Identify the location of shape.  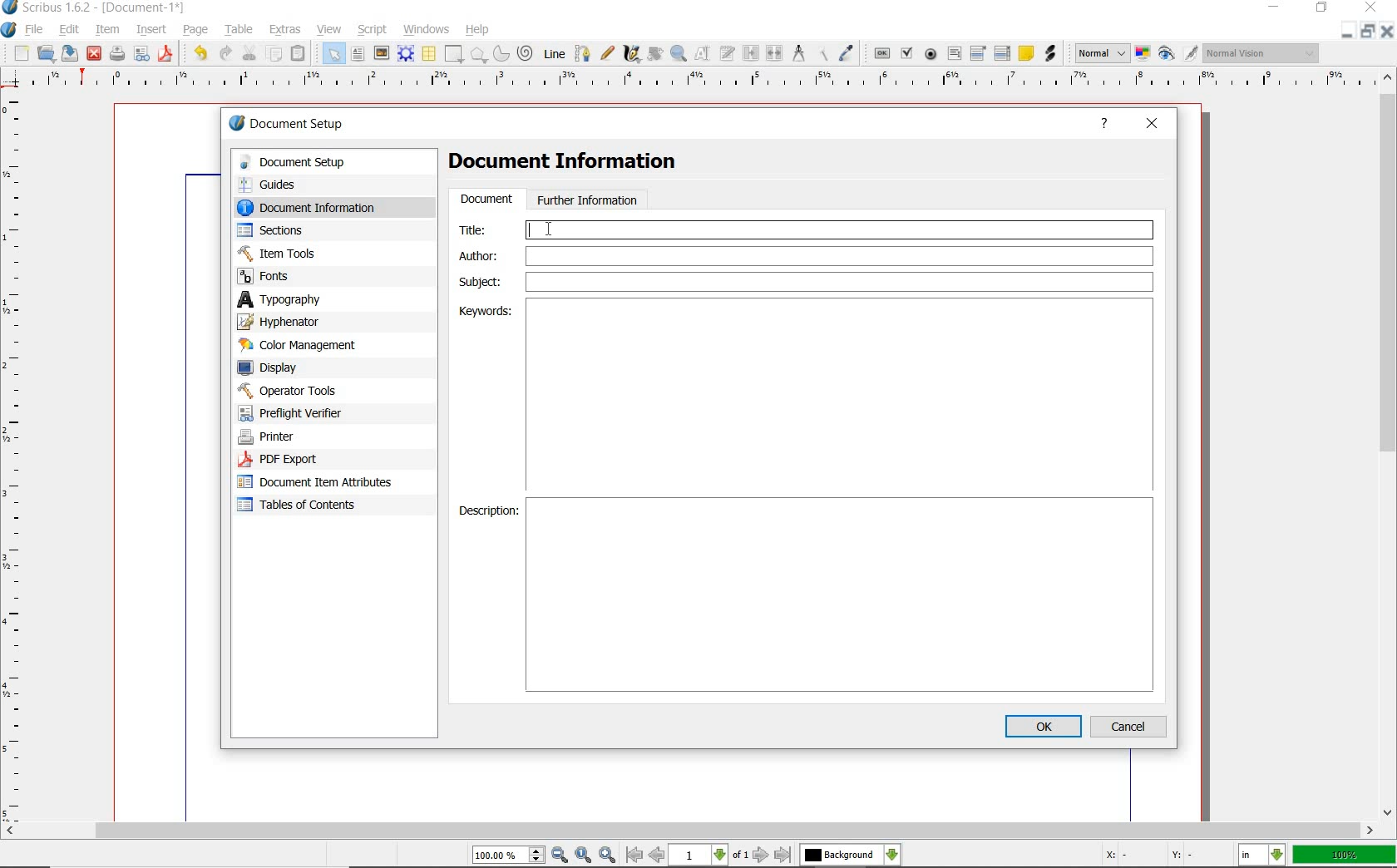
(478, 54).